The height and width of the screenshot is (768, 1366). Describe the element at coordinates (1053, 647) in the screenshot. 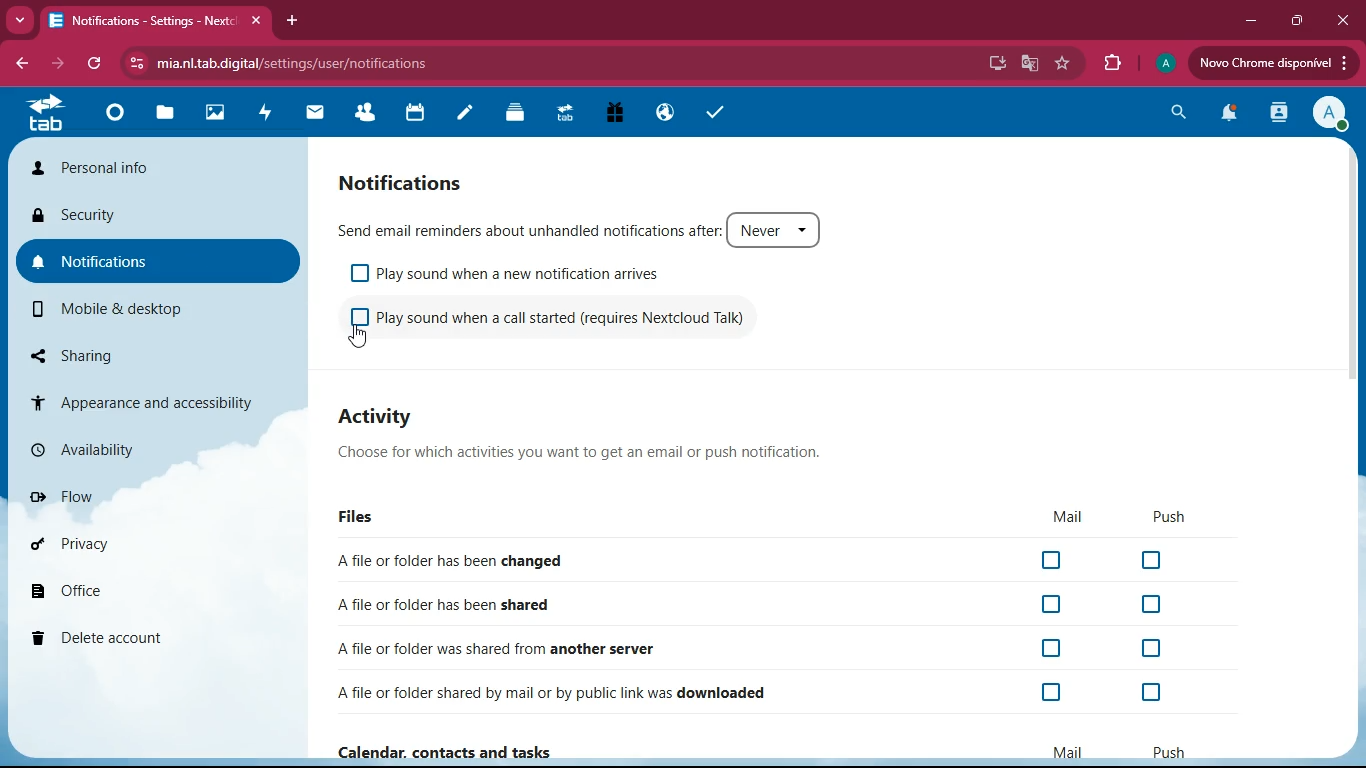

I see `off` at that location.